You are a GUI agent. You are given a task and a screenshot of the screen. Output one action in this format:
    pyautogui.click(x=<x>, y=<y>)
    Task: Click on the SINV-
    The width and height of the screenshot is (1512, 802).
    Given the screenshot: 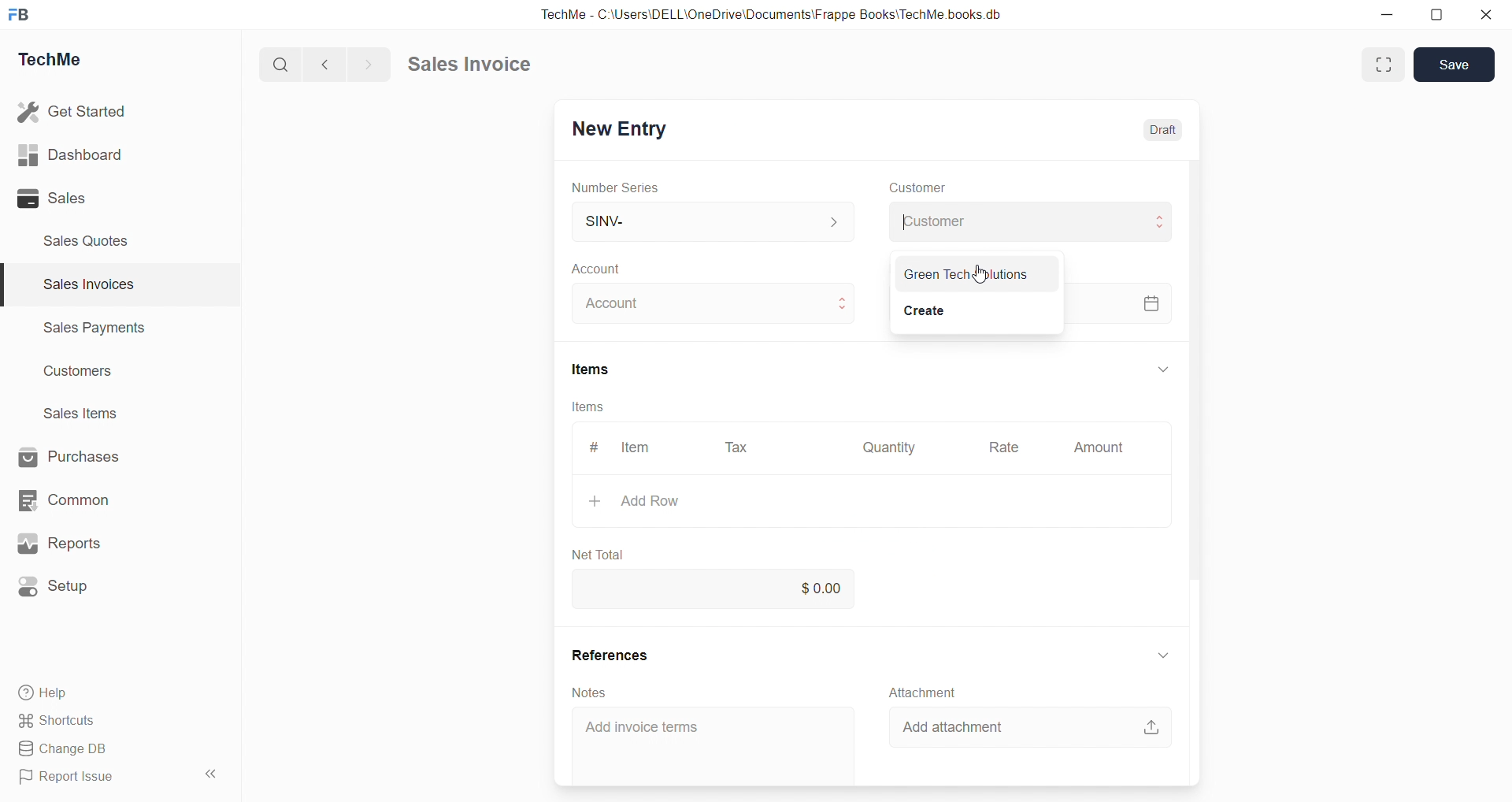 What is the action you would take?
    pyautogui.click(x=713, y=220)
    